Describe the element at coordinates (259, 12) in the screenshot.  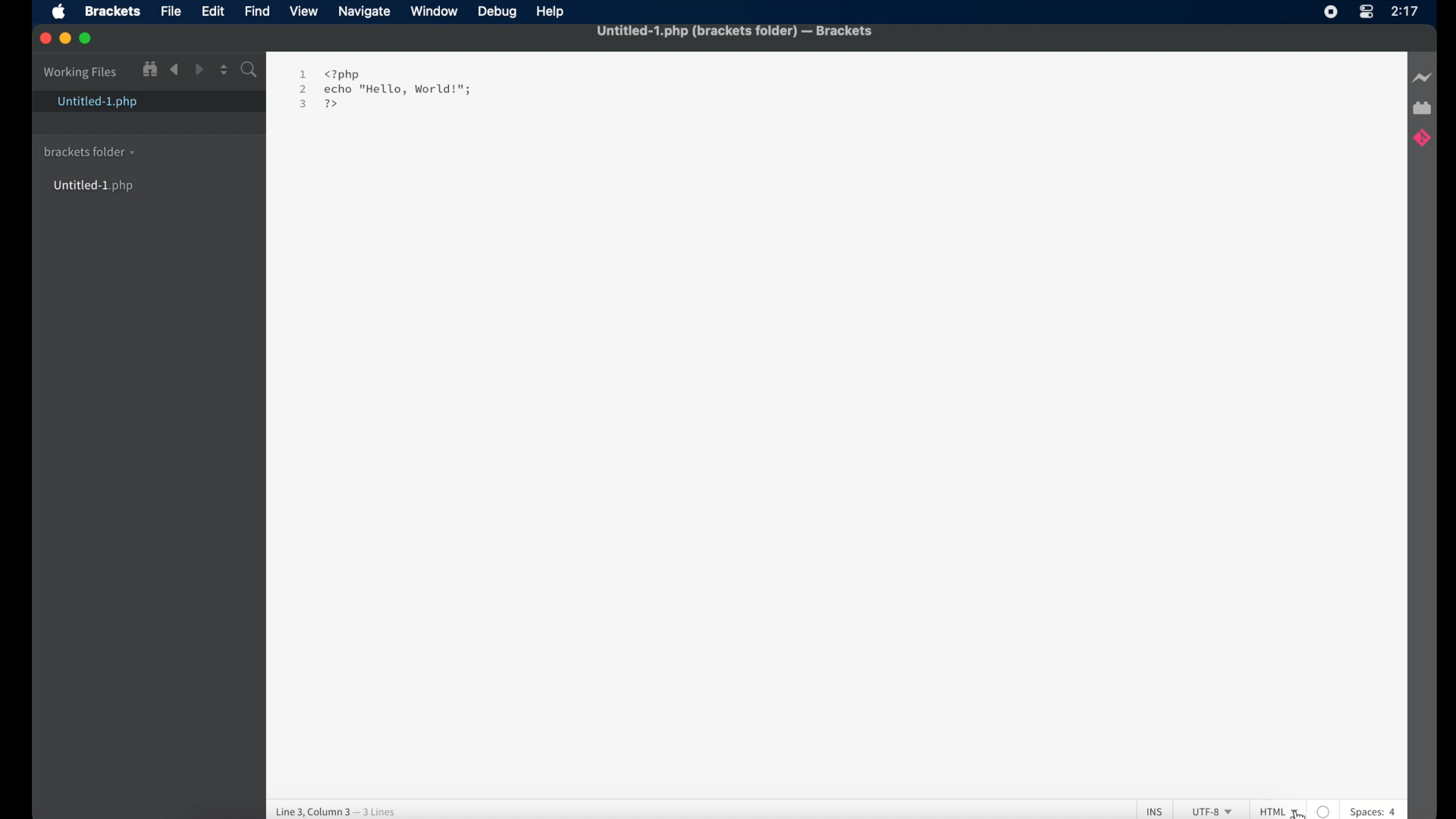
I see `find` at that location.